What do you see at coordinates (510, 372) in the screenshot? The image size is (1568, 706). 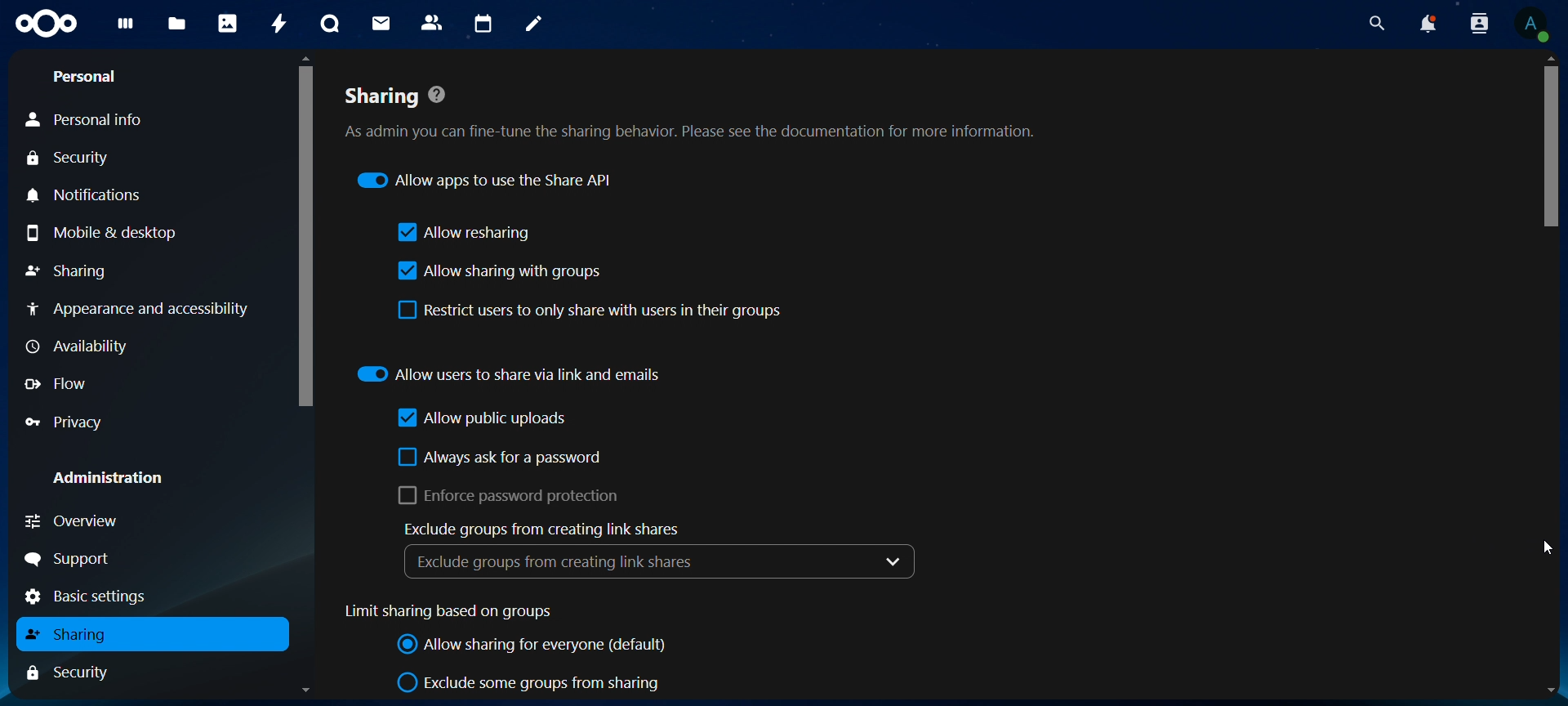 I see `allow users to share via link and emails` at bounding box center [510, 372].